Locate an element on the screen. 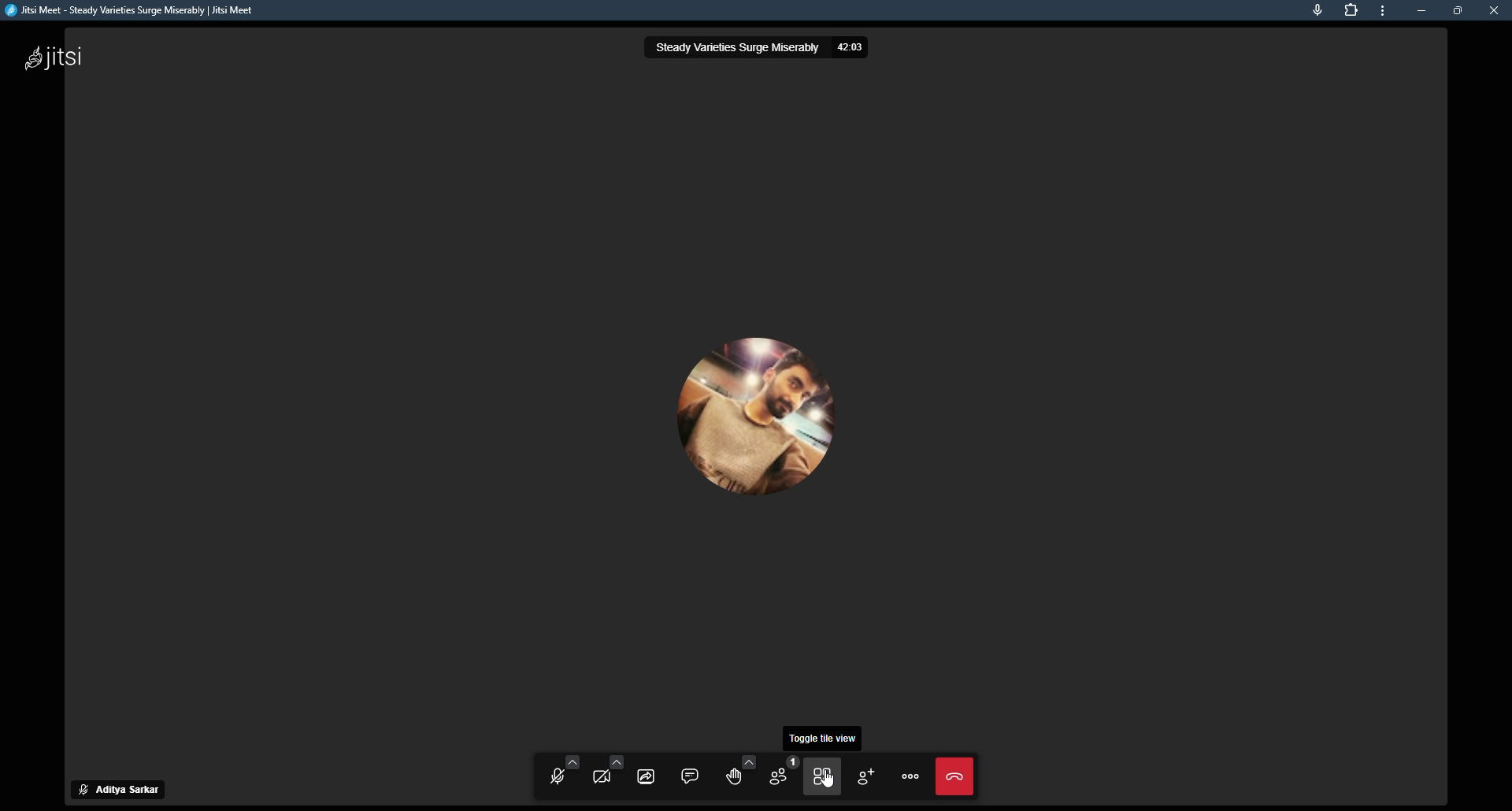 Image resolution: width=1512 pixels, height=811 pixels. mic is located at coordinates (1320, 11).